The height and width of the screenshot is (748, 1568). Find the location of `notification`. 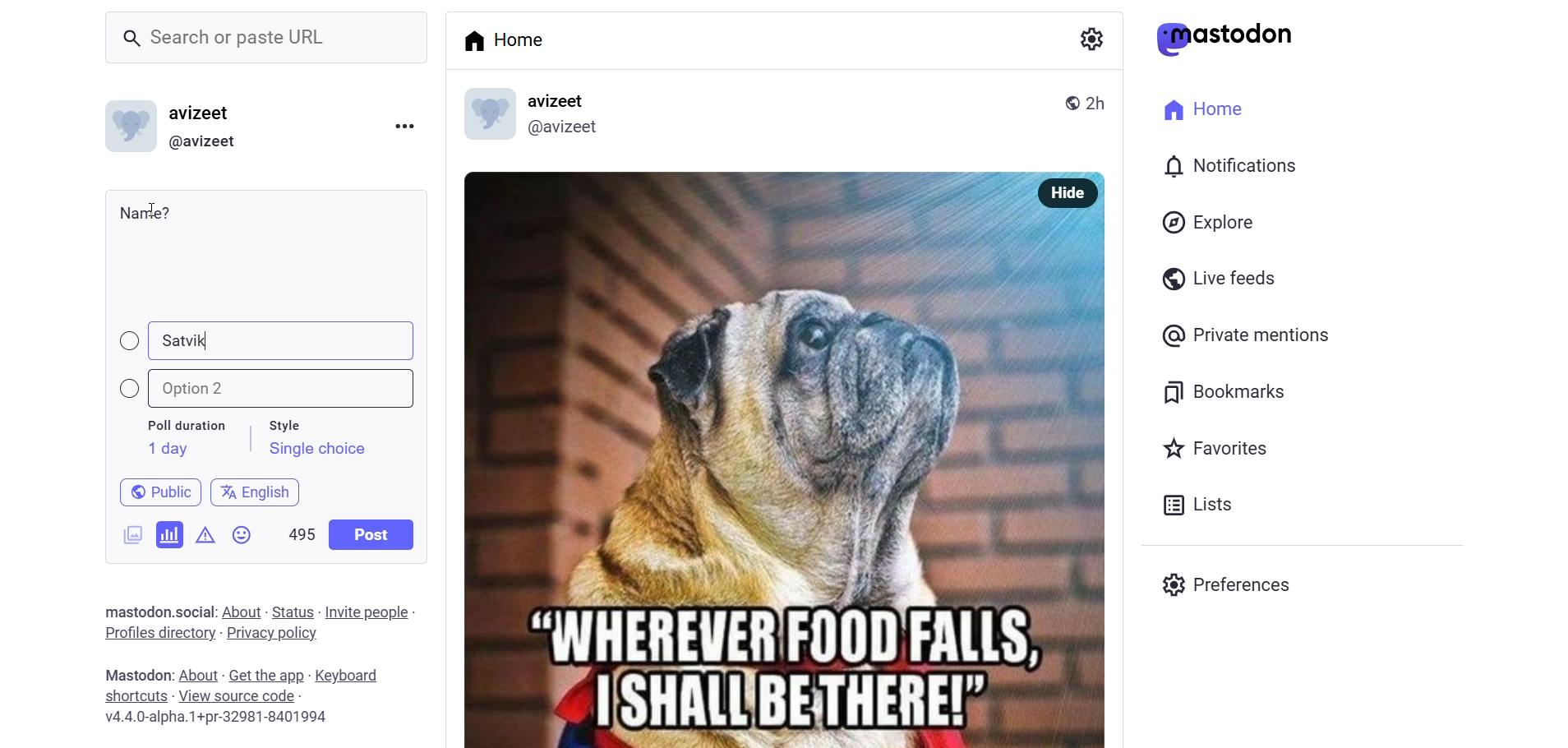

notification is located at coordinates (1228, 168).